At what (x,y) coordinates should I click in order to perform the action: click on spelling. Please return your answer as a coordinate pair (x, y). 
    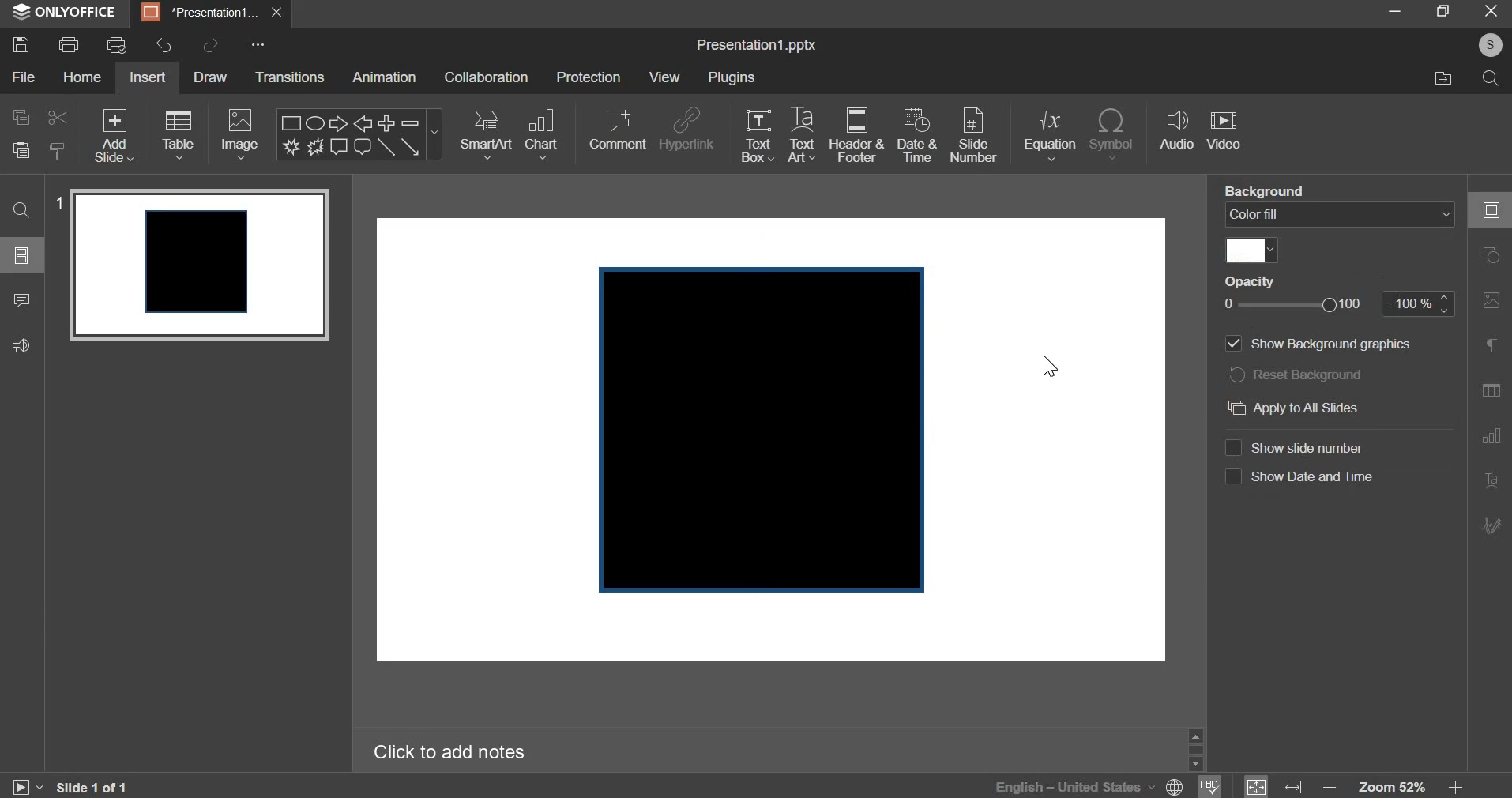
    Looking at the image, I should click on (1217, 787).